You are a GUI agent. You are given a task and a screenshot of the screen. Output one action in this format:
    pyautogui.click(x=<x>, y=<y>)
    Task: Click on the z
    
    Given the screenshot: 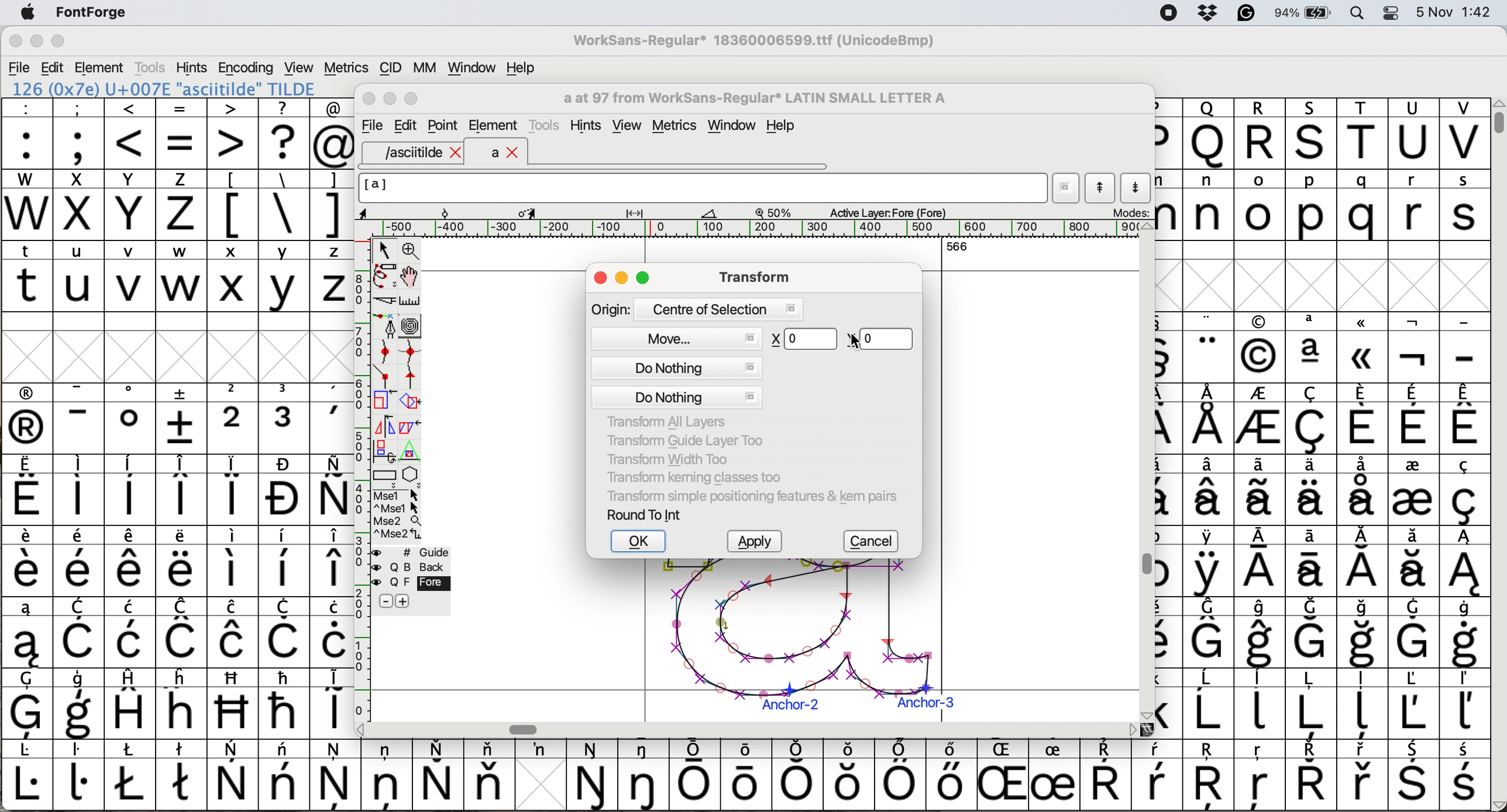 What is the action you would take?
    pyautogui.click(x=332, y=276)
    